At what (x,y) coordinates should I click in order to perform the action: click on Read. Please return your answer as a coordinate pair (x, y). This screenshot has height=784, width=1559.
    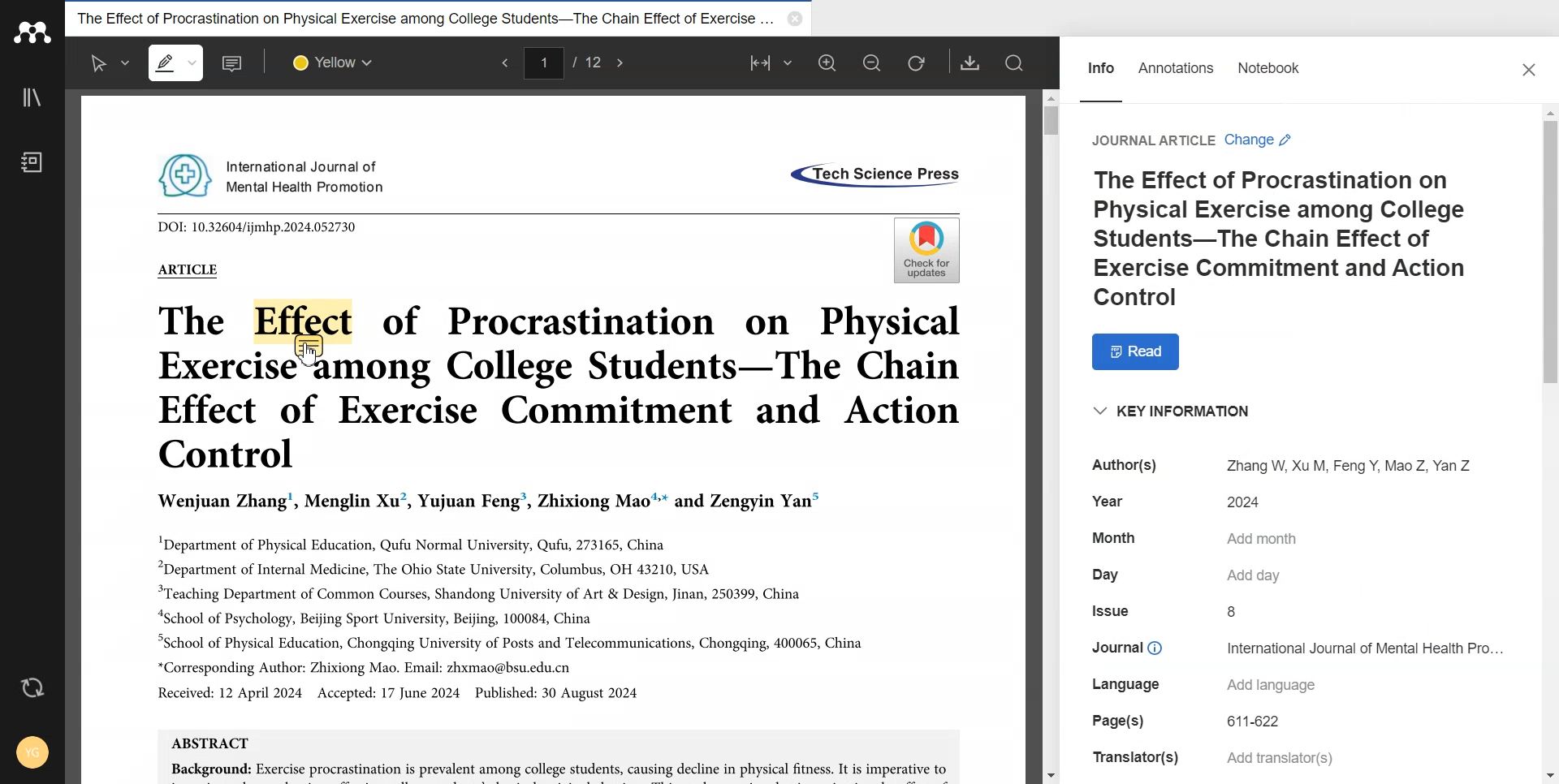
    Looking at the image, I should click on (1145, 351).